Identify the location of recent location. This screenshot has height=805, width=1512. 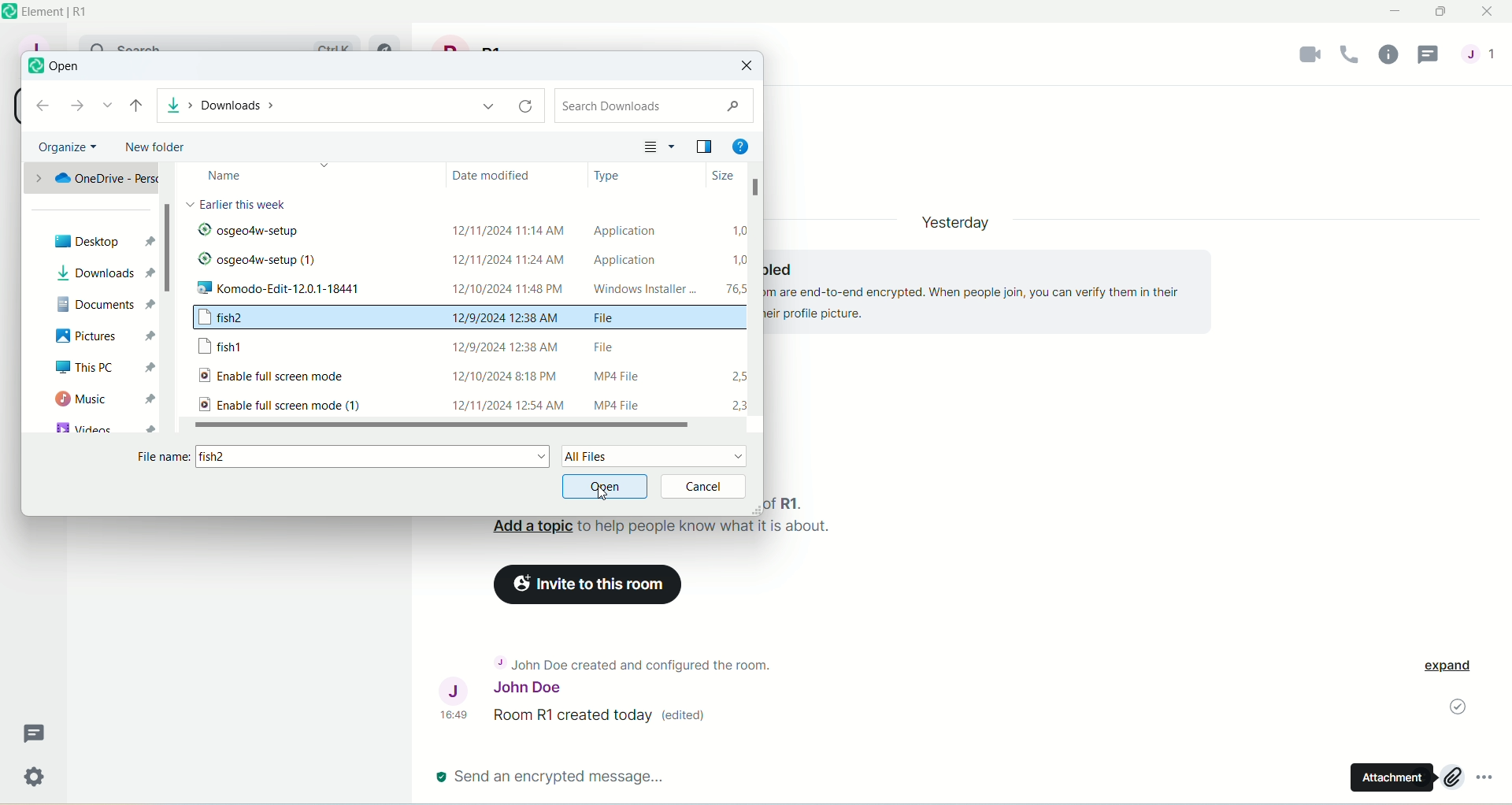
(107, 107).